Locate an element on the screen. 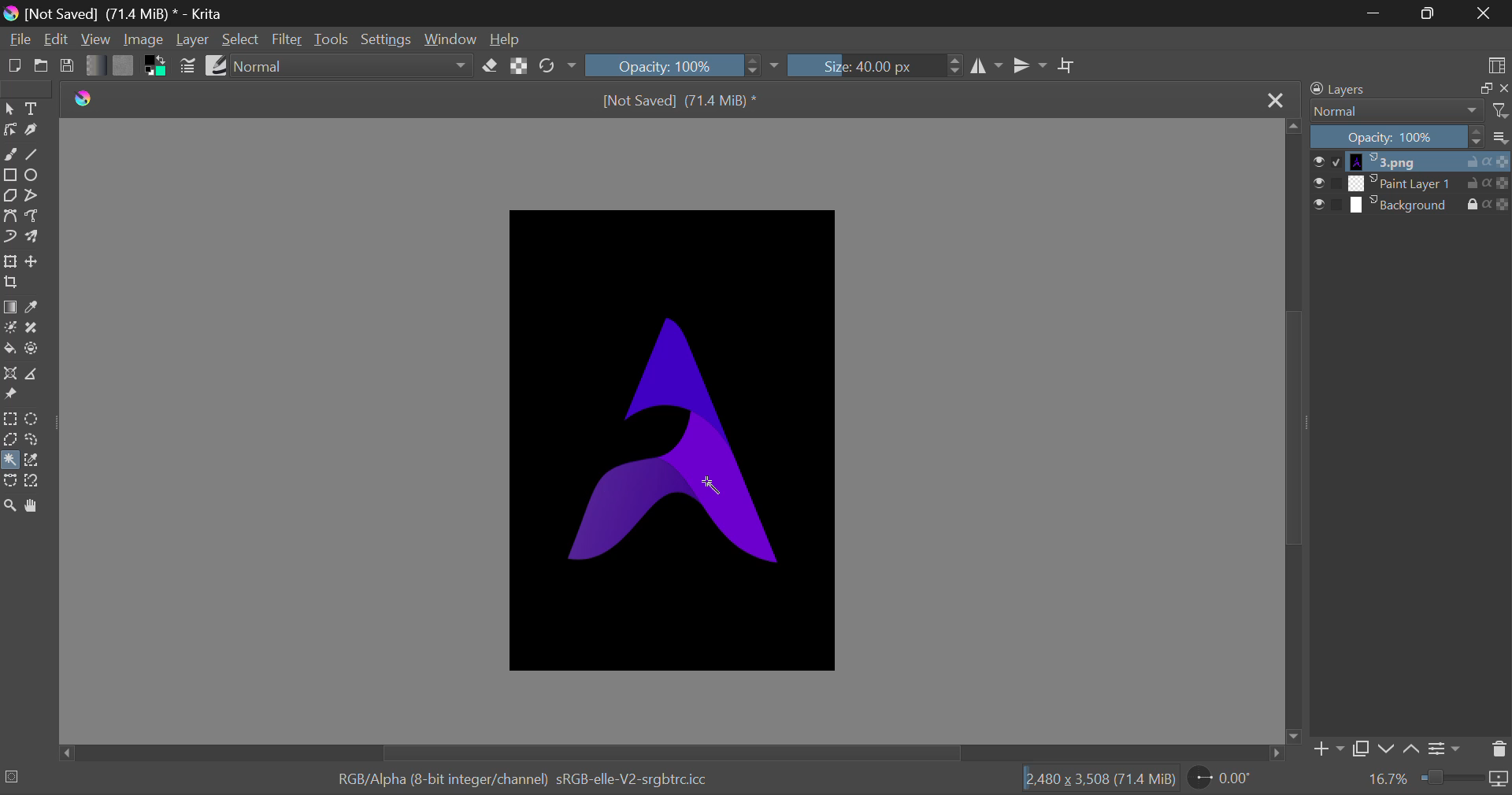 The image size is (1512, 795). Image is located at coordinates (146, 41).